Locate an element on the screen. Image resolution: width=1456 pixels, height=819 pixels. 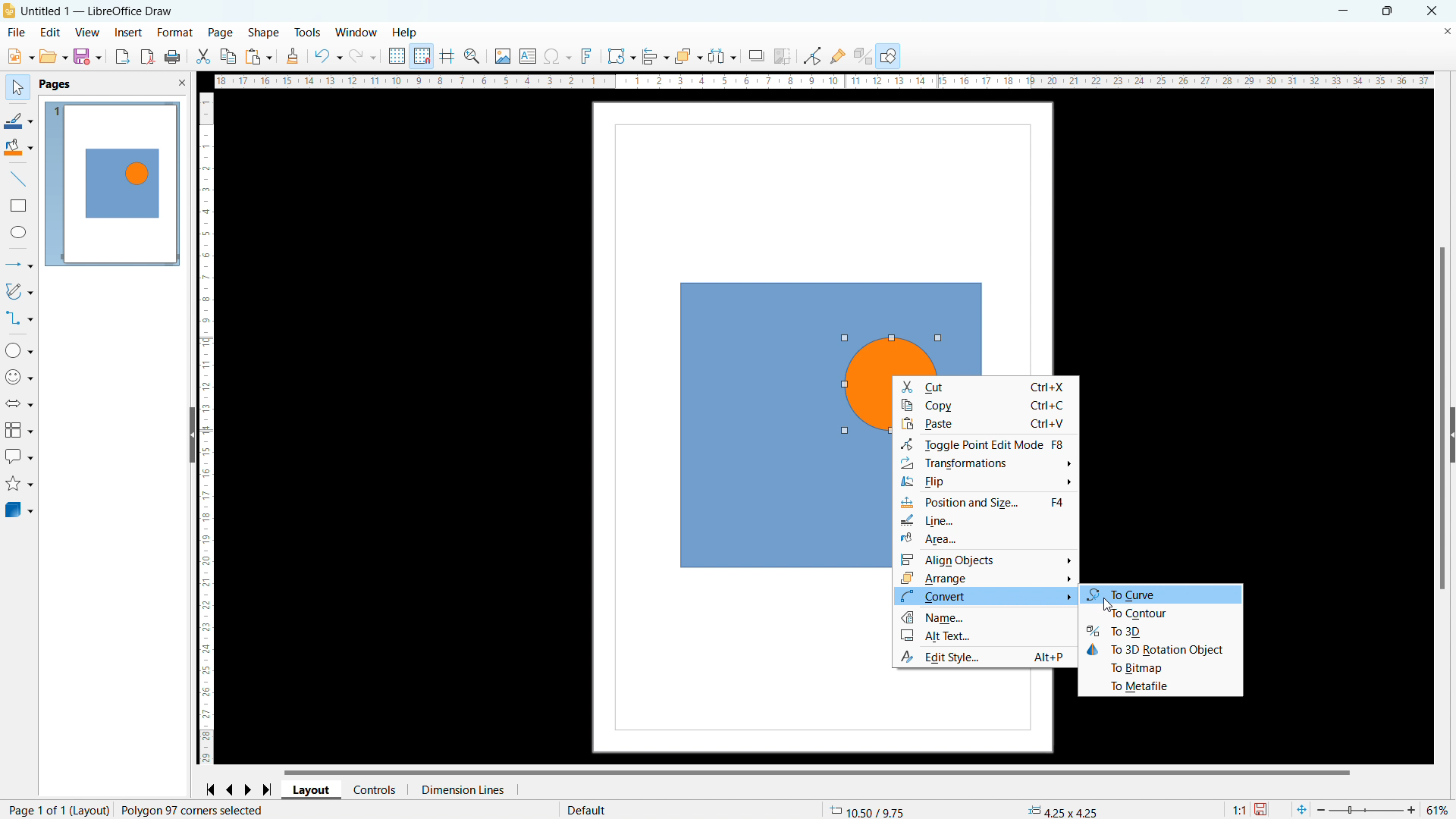
select tool is located at coordinates (17, 86).